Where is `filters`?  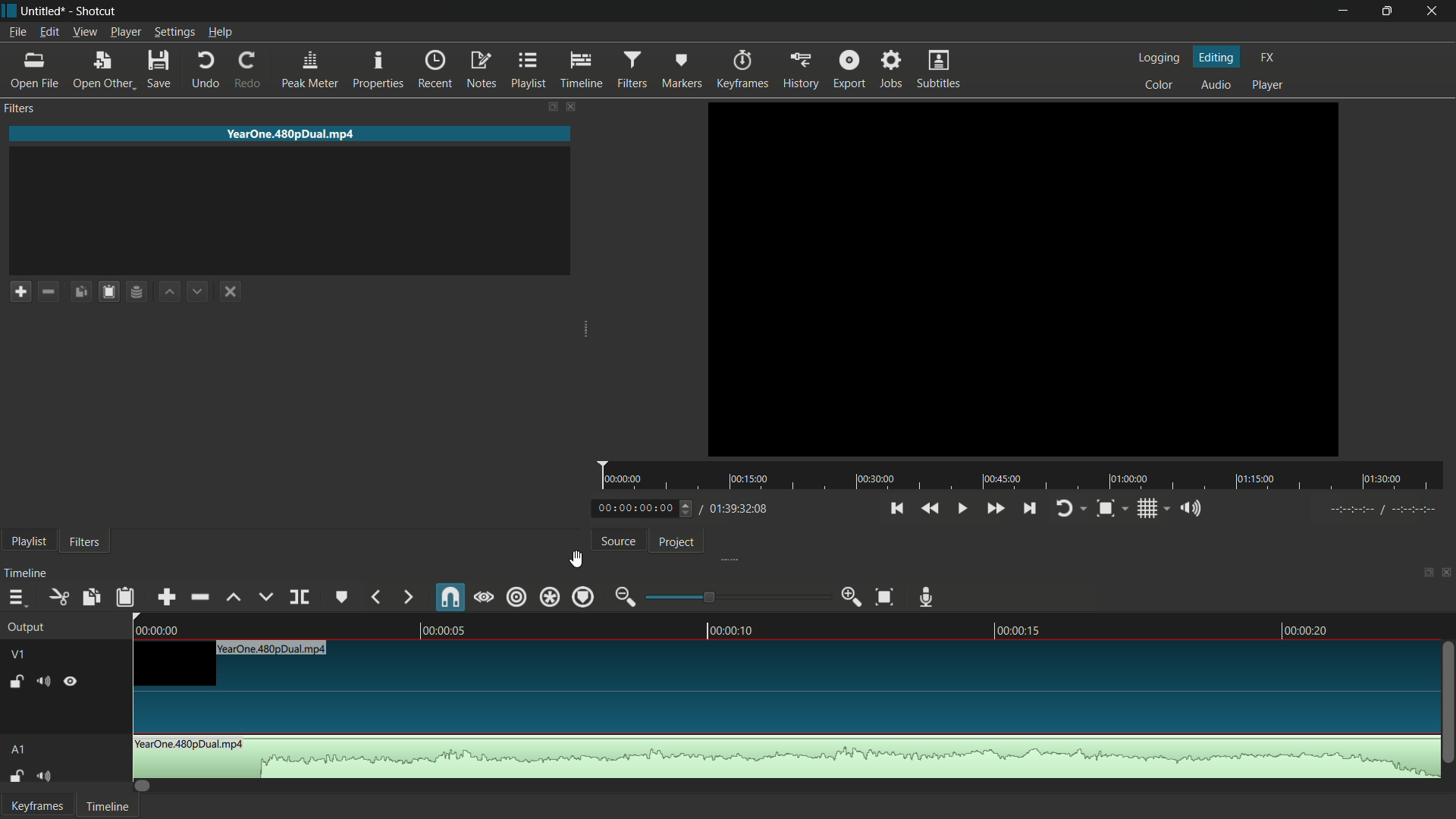
filters is located at coordinates (20, 109).